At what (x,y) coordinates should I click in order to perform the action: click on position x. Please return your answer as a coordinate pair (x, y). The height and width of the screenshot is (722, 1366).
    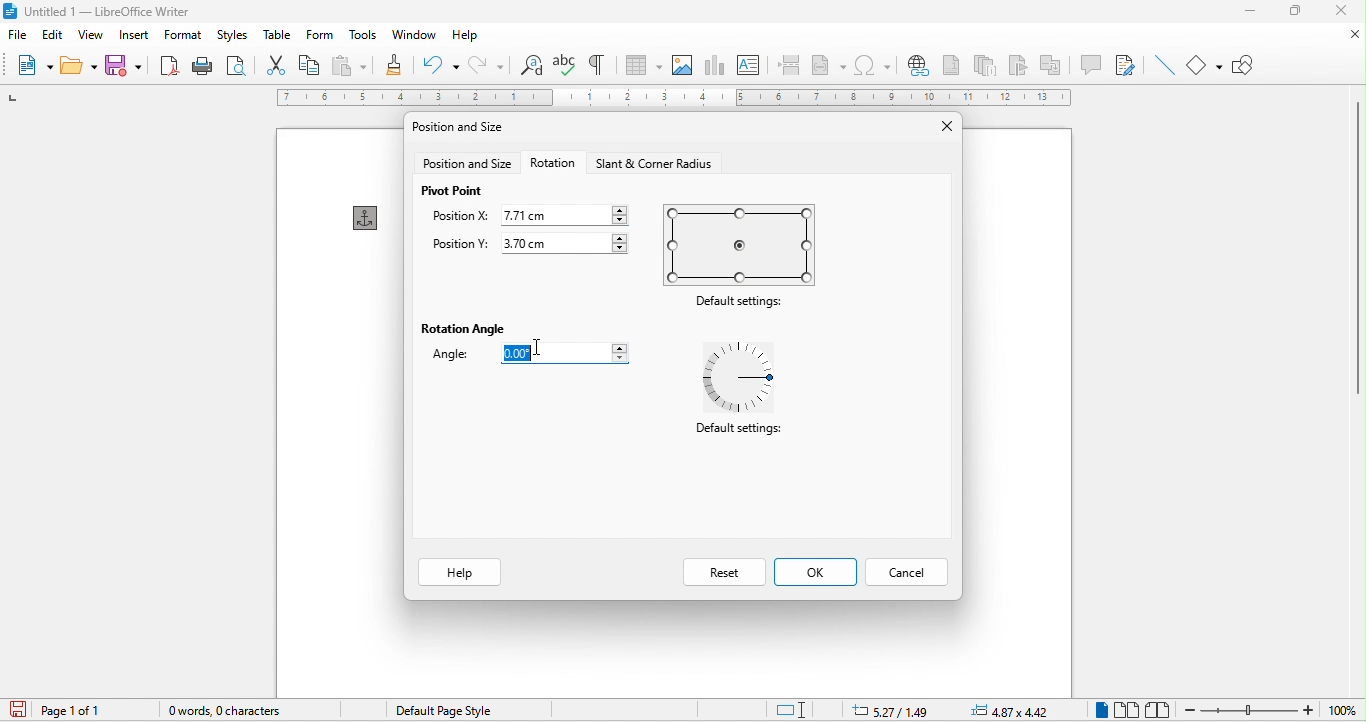
    Looking at the image, I should click on (454, 218).